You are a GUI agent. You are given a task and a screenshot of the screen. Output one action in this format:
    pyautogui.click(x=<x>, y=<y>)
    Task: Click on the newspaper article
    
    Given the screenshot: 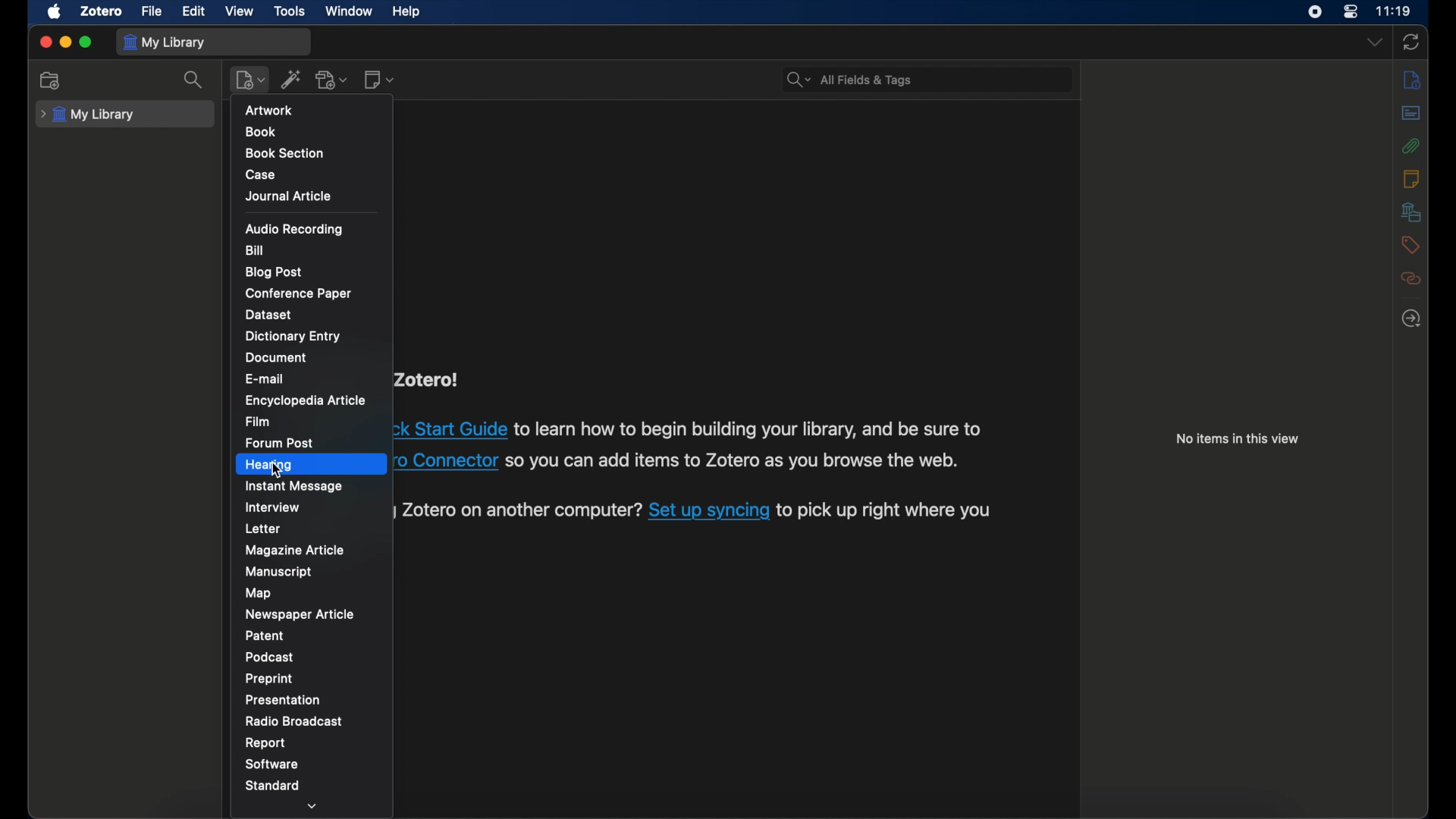 What is the action you would take?
    pyautogui.click(x=300, y=614)
    